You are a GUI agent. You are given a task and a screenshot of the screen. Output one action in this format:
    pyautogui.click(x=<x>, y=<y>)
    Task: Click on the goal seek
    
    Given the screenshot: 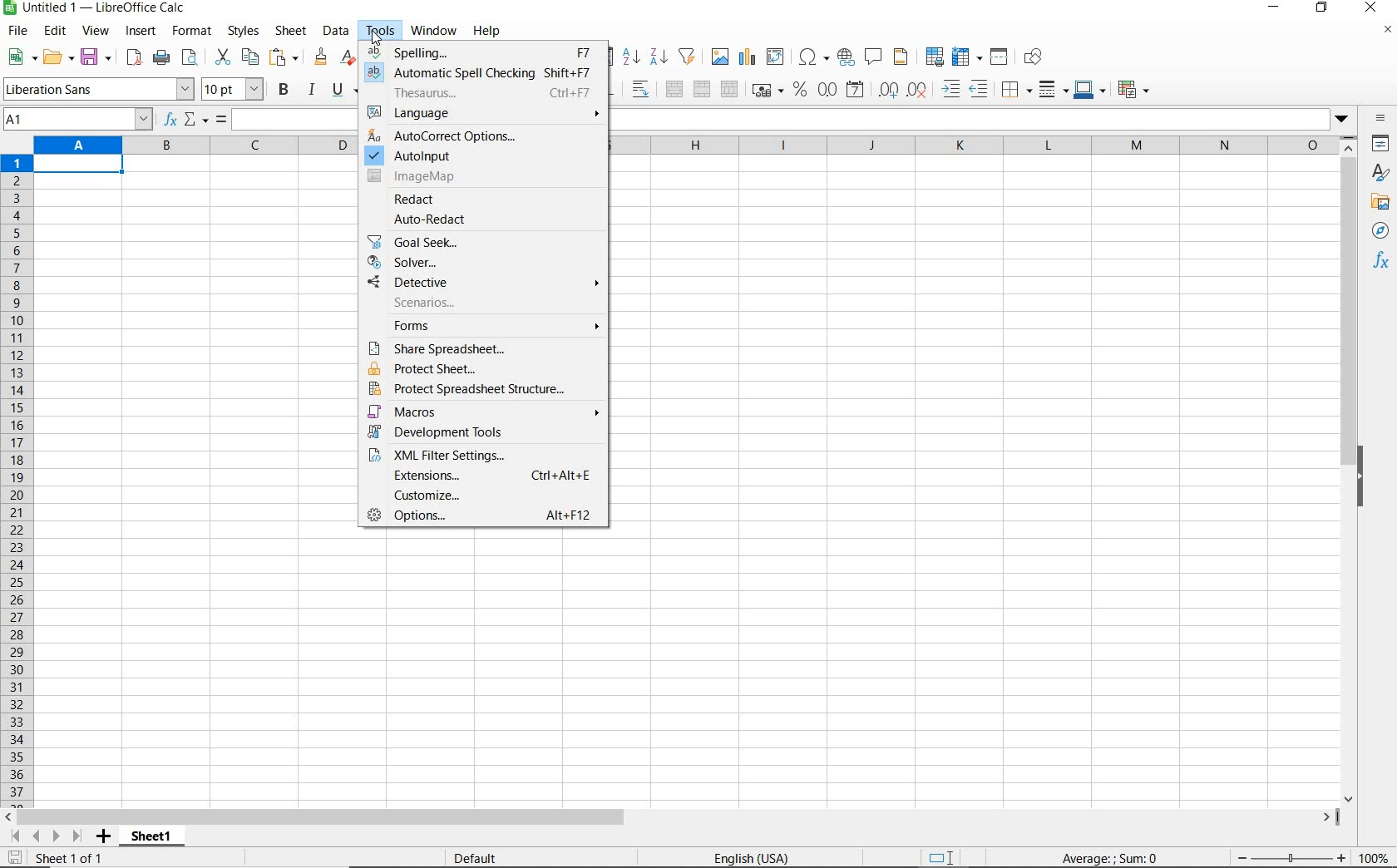 What is the action you would take?
    pyautogui.click(x=484, y=241)
    